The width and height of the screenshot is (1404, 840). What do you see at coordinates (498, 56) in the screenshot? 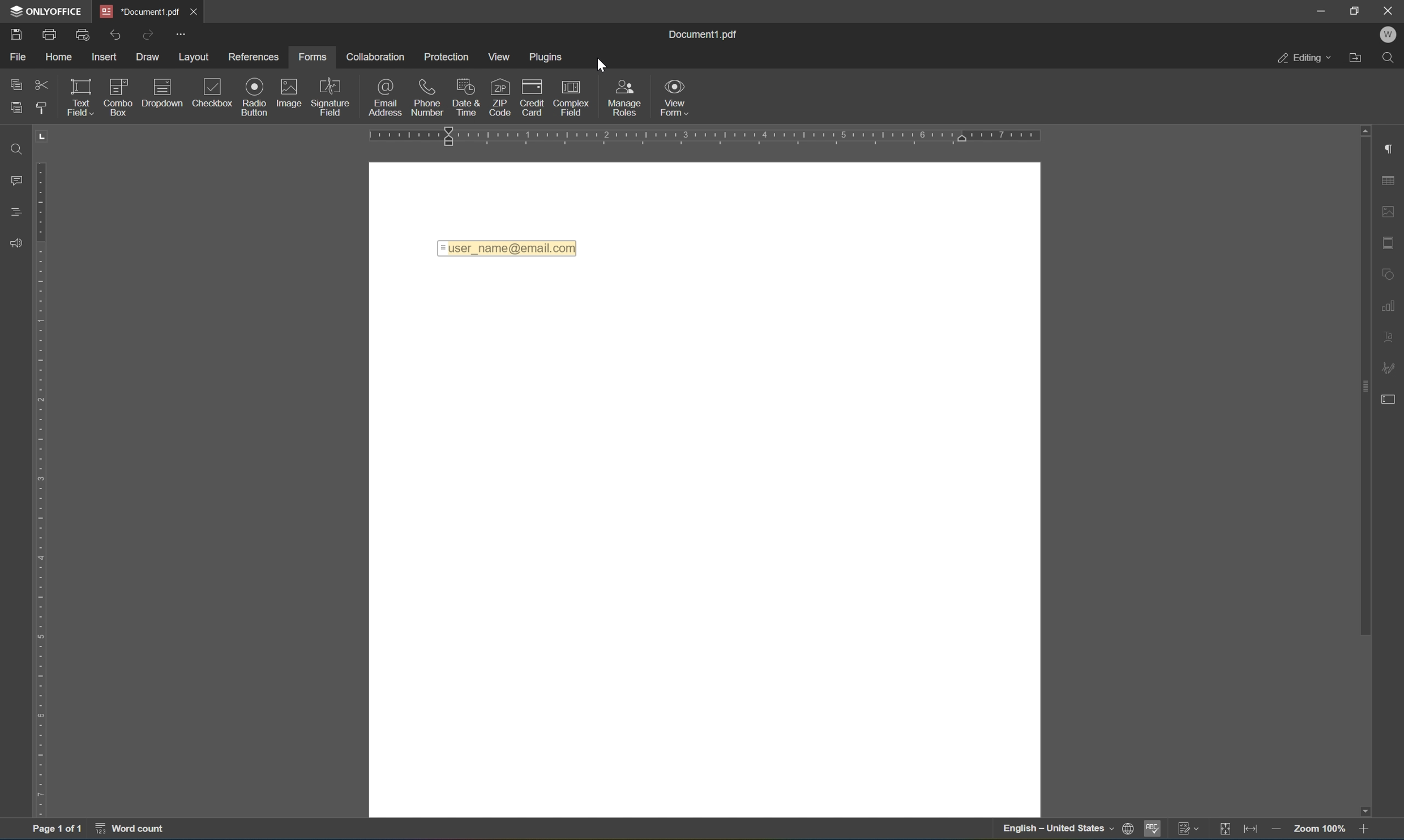
I see `view` at bounding box center [498, 56].